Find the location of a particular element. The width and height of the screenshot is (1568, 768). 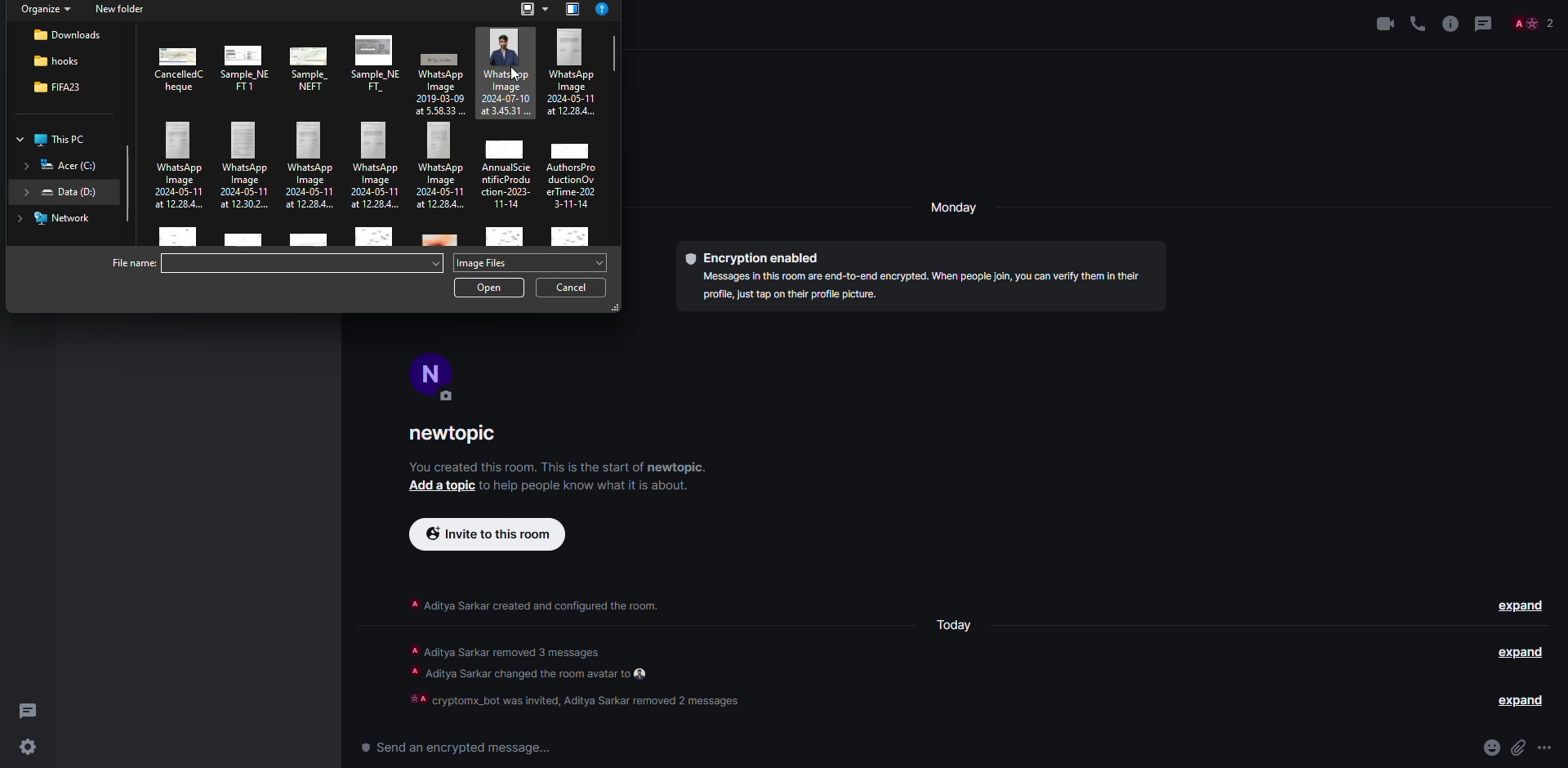

info is located at coordinates (1449, 22).